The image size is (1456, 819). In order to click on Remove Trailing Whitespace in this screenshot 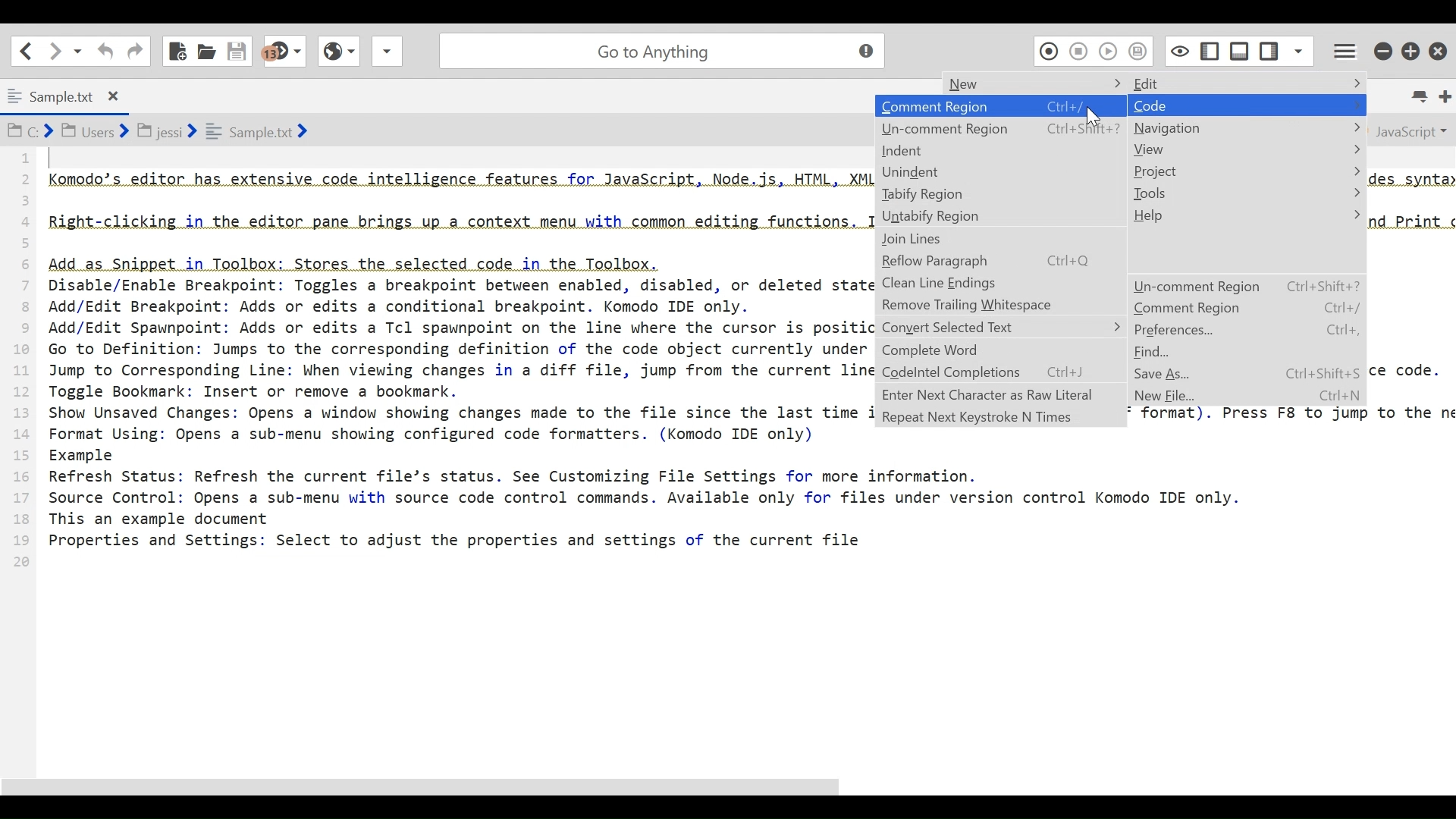, I will do `click(999, 305)`.